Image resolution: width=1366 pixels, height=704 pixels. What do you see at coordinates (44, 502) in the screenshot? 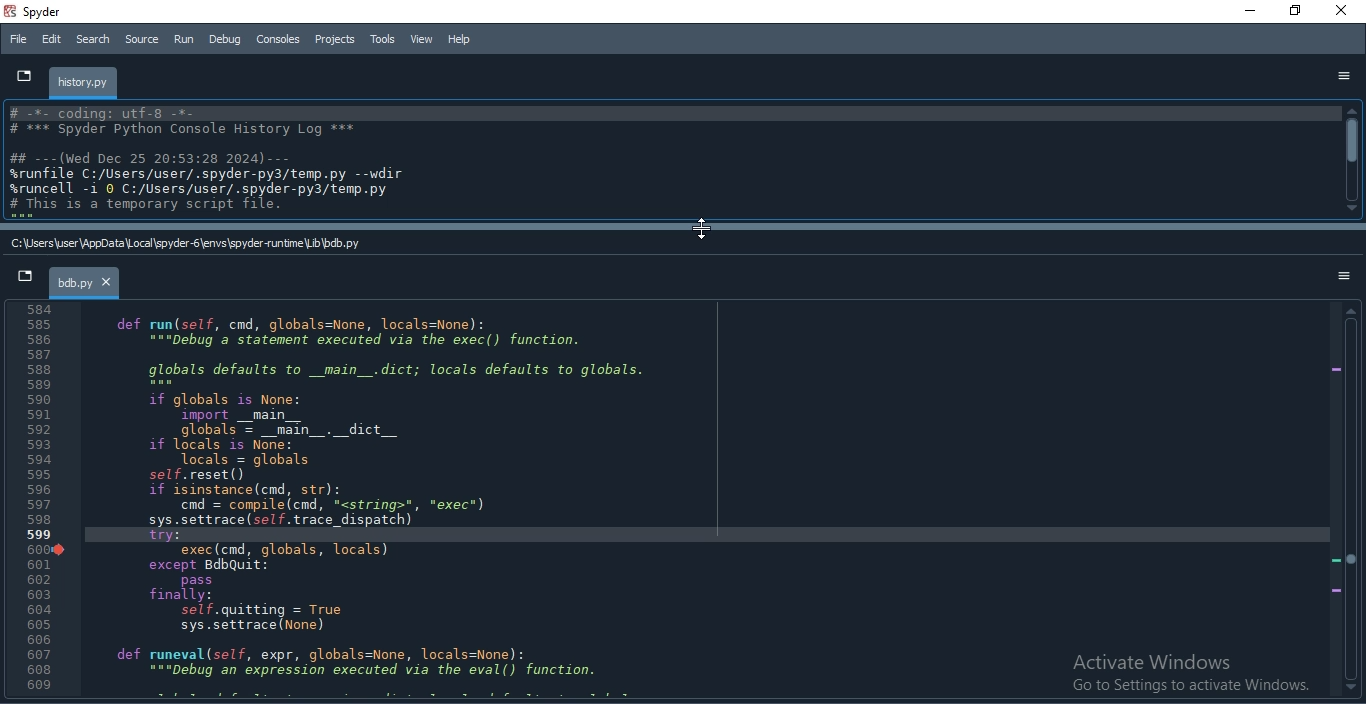
I see `serial numbers` at bounding box center [44, 502].